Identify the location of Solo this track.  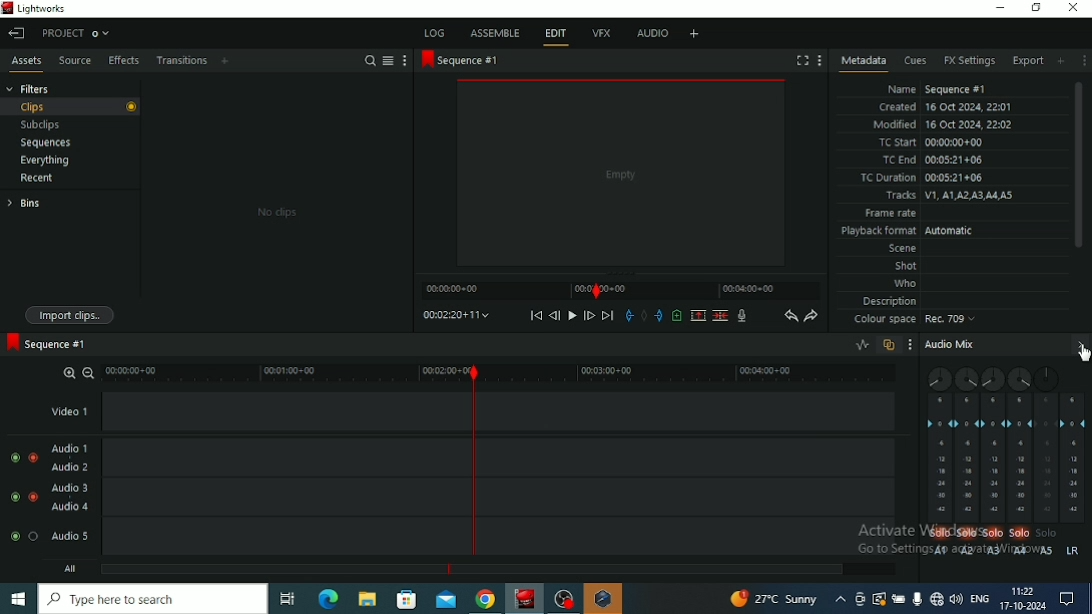
(33, 497).